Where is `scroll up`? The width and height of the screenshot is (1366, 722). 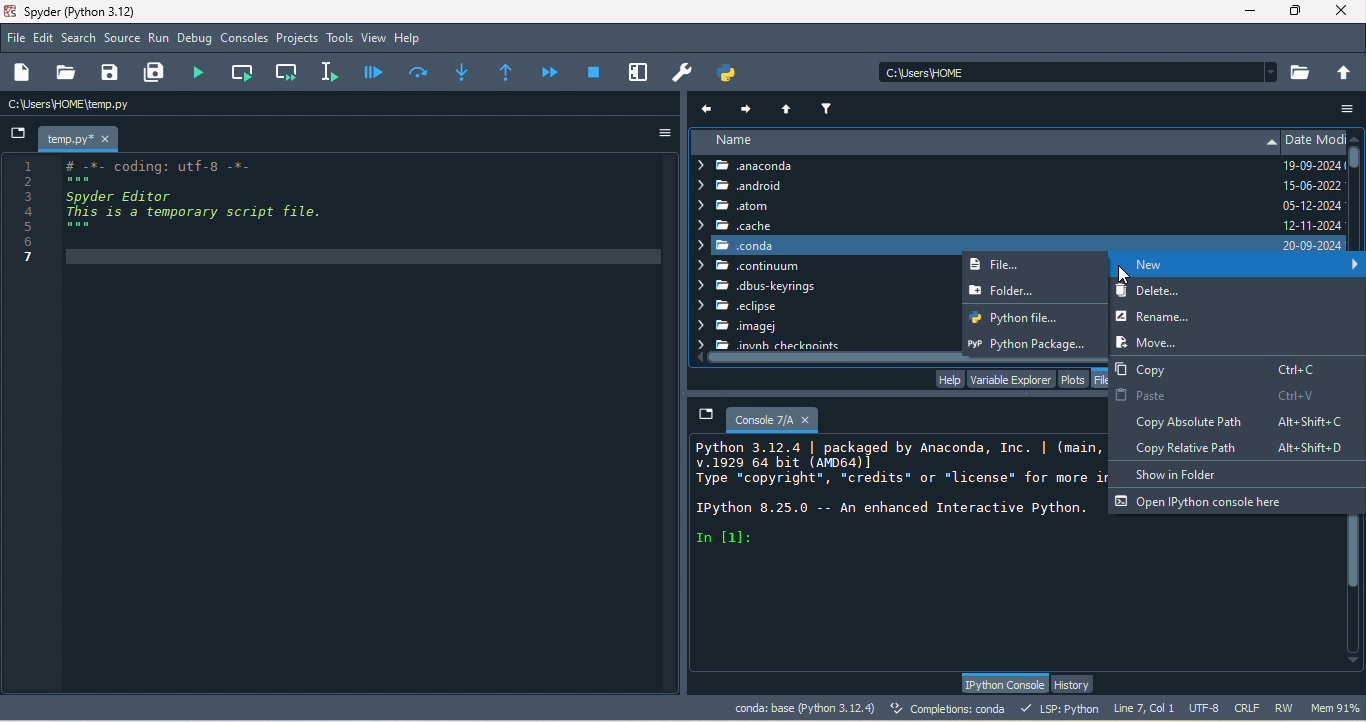 scroll up is located at coordinates (1357, 136).